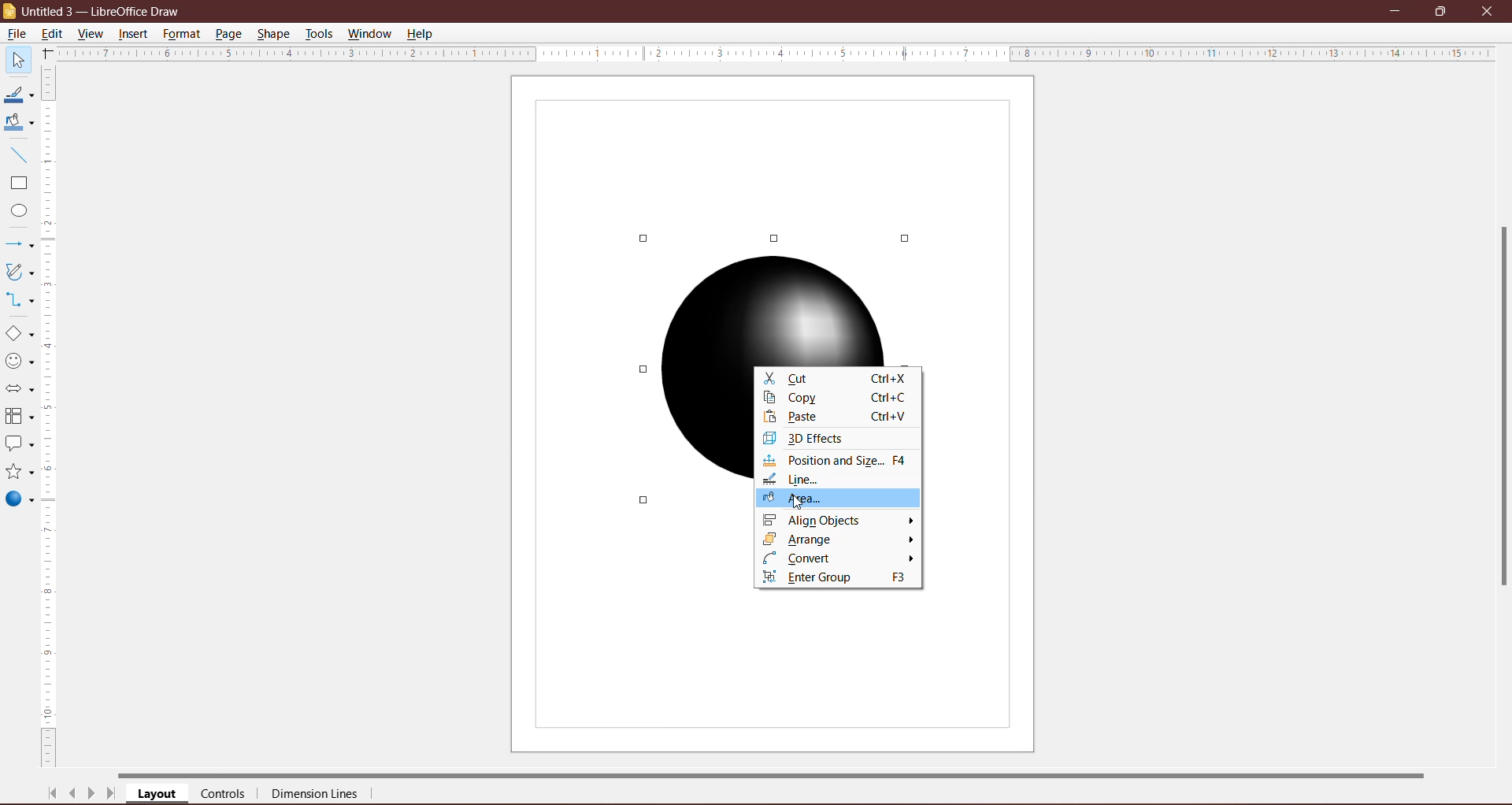  I want to click on Page, so click(228, 33).